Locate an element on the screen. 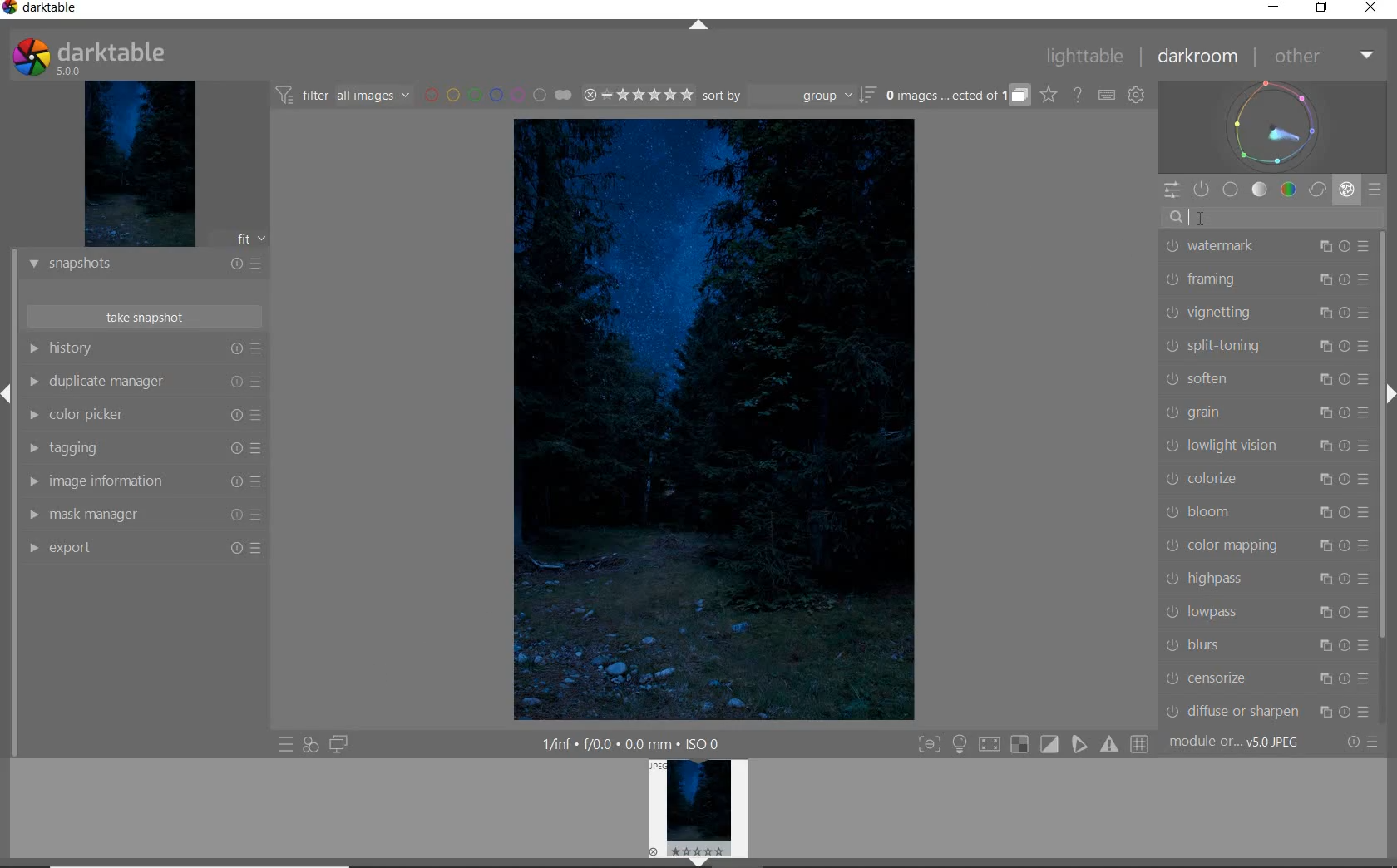  IMAGE PREVIEW is located at coordinates (698, 812).